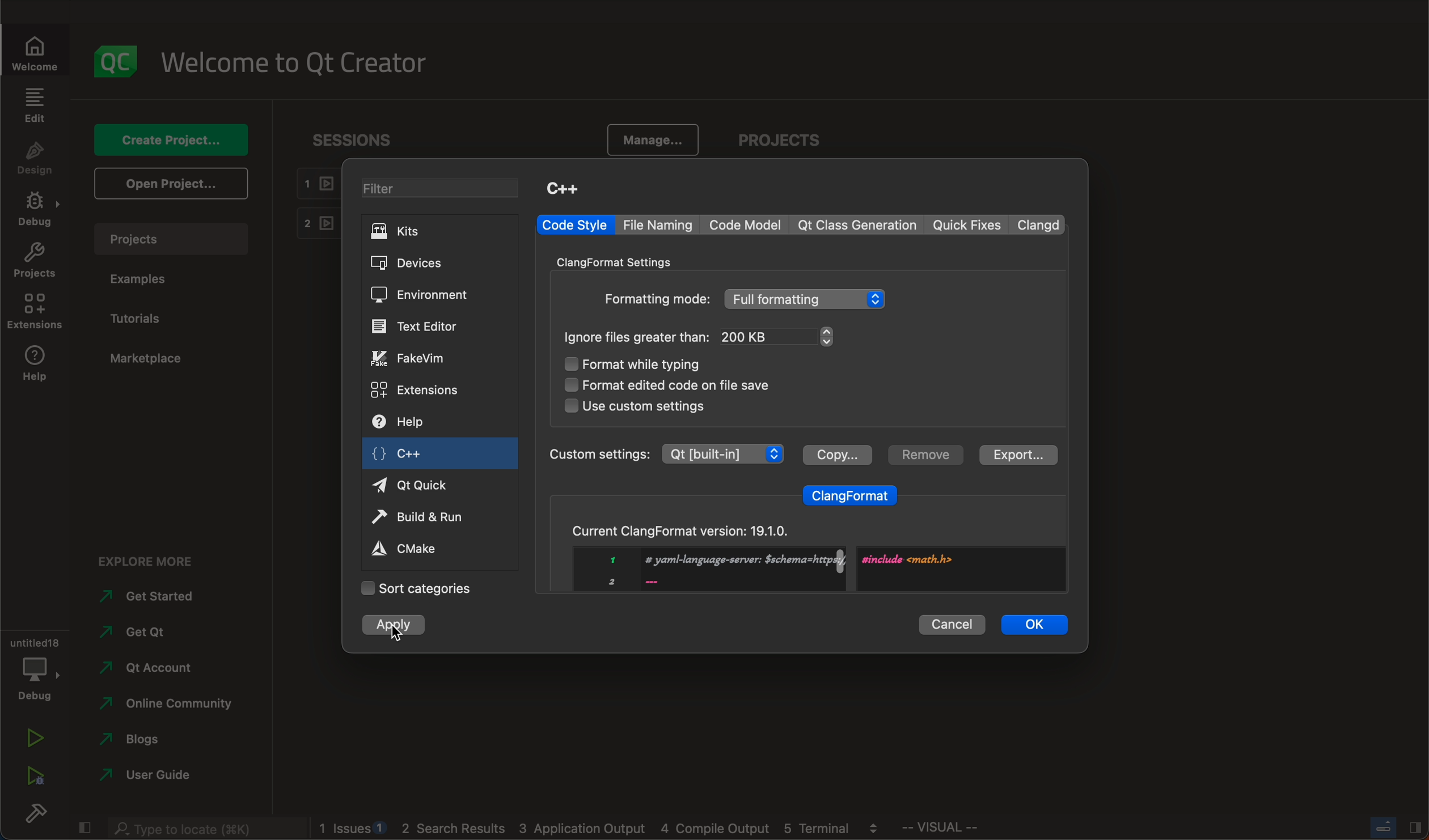  What do you see at coordinates (166, 706) in the screenshot?
I see `community` at bounding box center [166, 706].